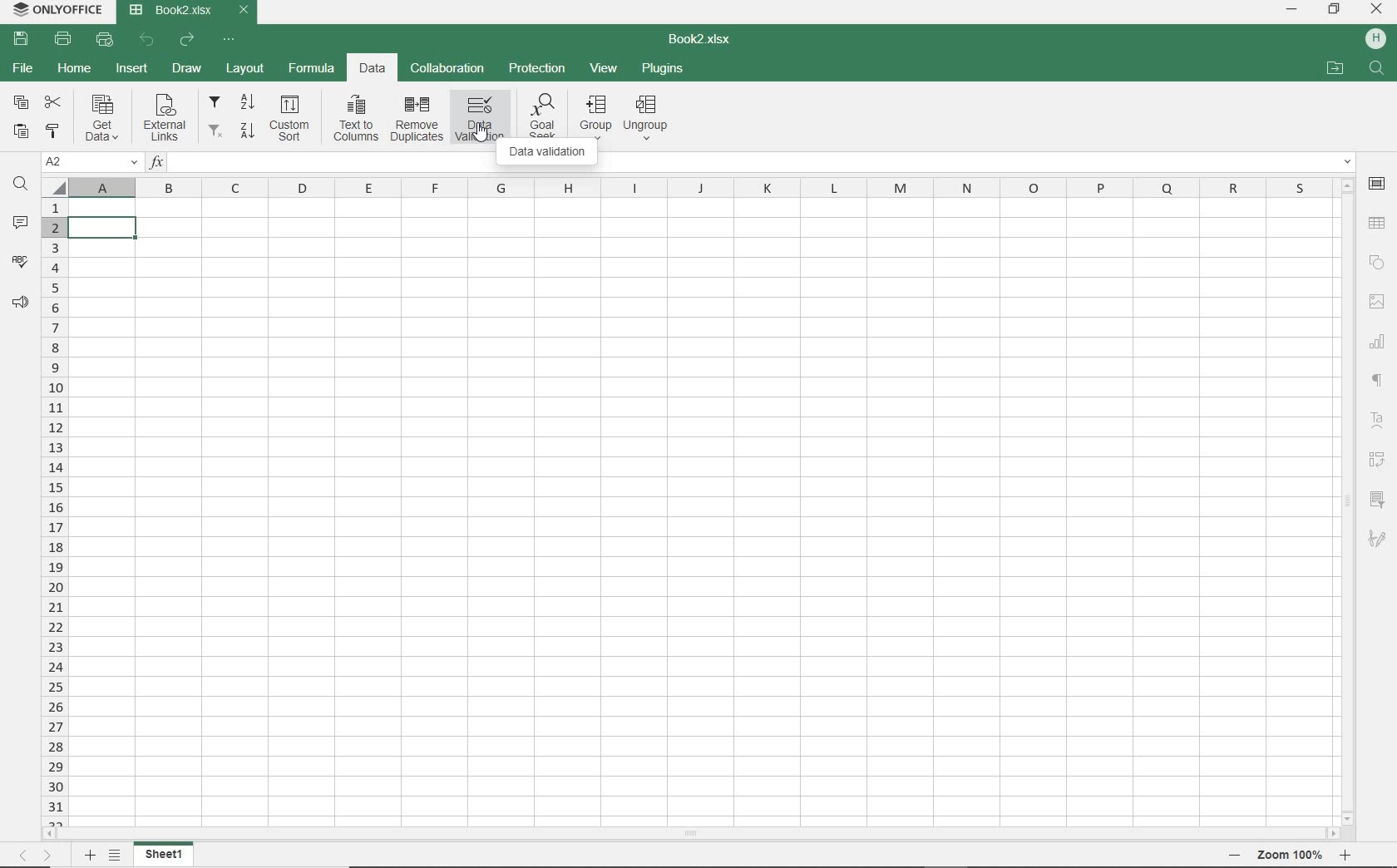  What do you see at coordinates (90, 856) in the screenshot?
I see `ADD SHEET` at bounding box center [90, 856].